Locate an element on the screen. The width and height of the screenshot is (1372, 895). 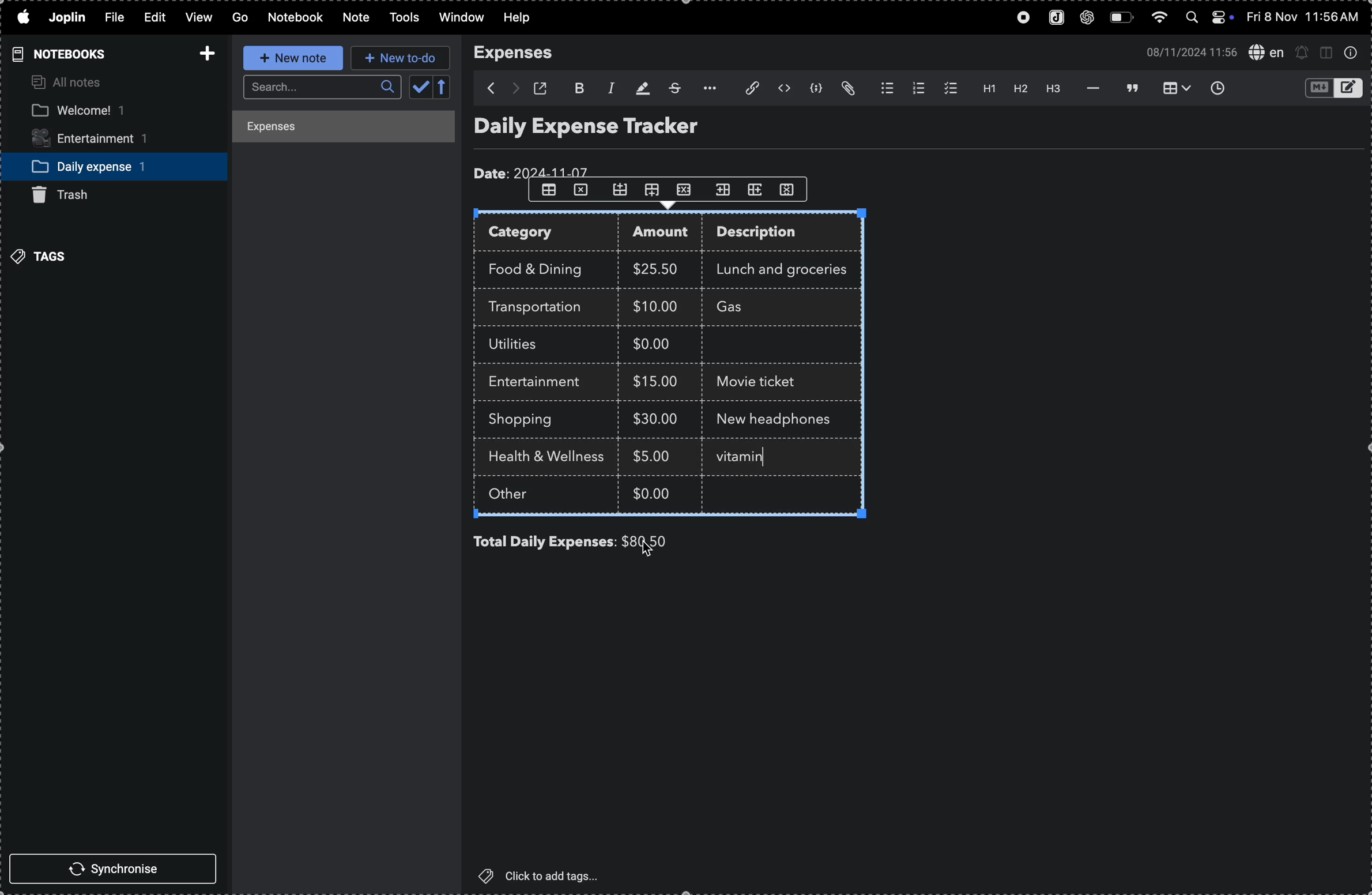
chatgpt is located at coordinates (1088, 18).